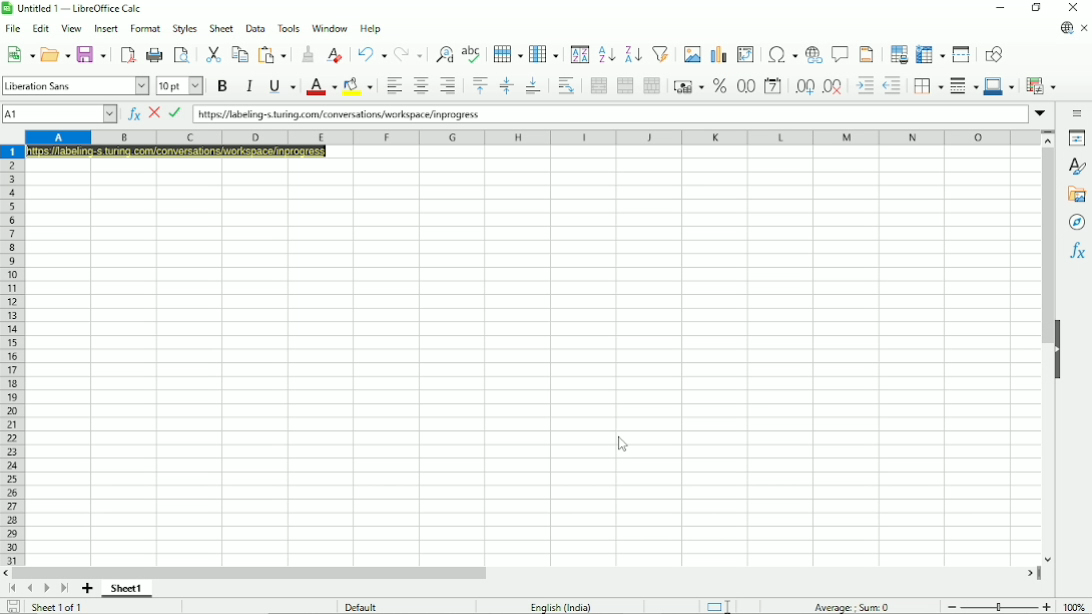  Describe the element at coordinates (546, 54) in the screenshot. I see `Column` at that location.